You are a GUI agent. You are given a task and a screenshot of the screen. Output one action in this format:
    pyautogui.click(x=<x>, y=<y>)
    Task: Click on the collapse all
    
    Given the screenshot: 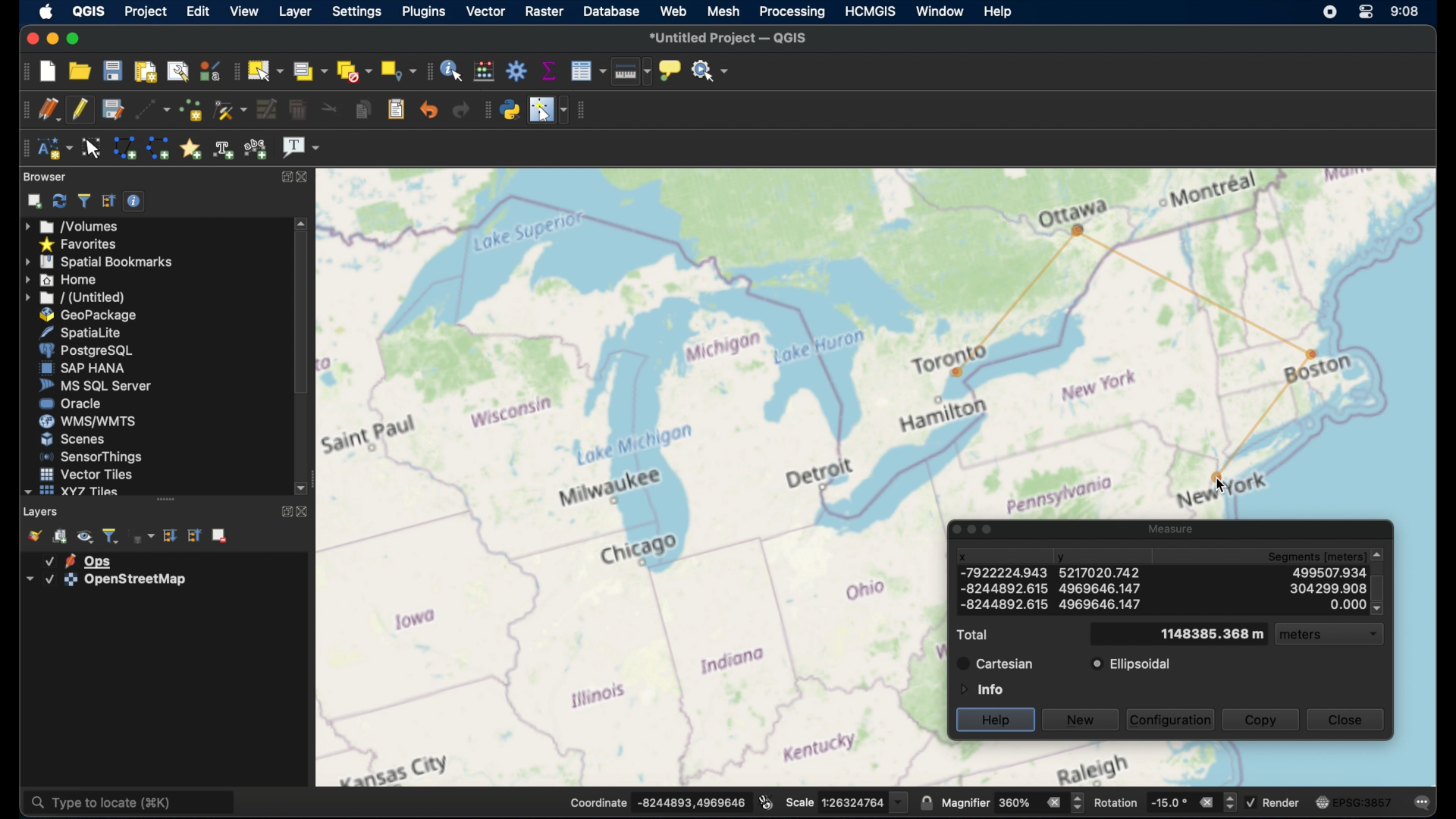 What is the action you would take?
    pyautogui.click(x=194, y=535)
    